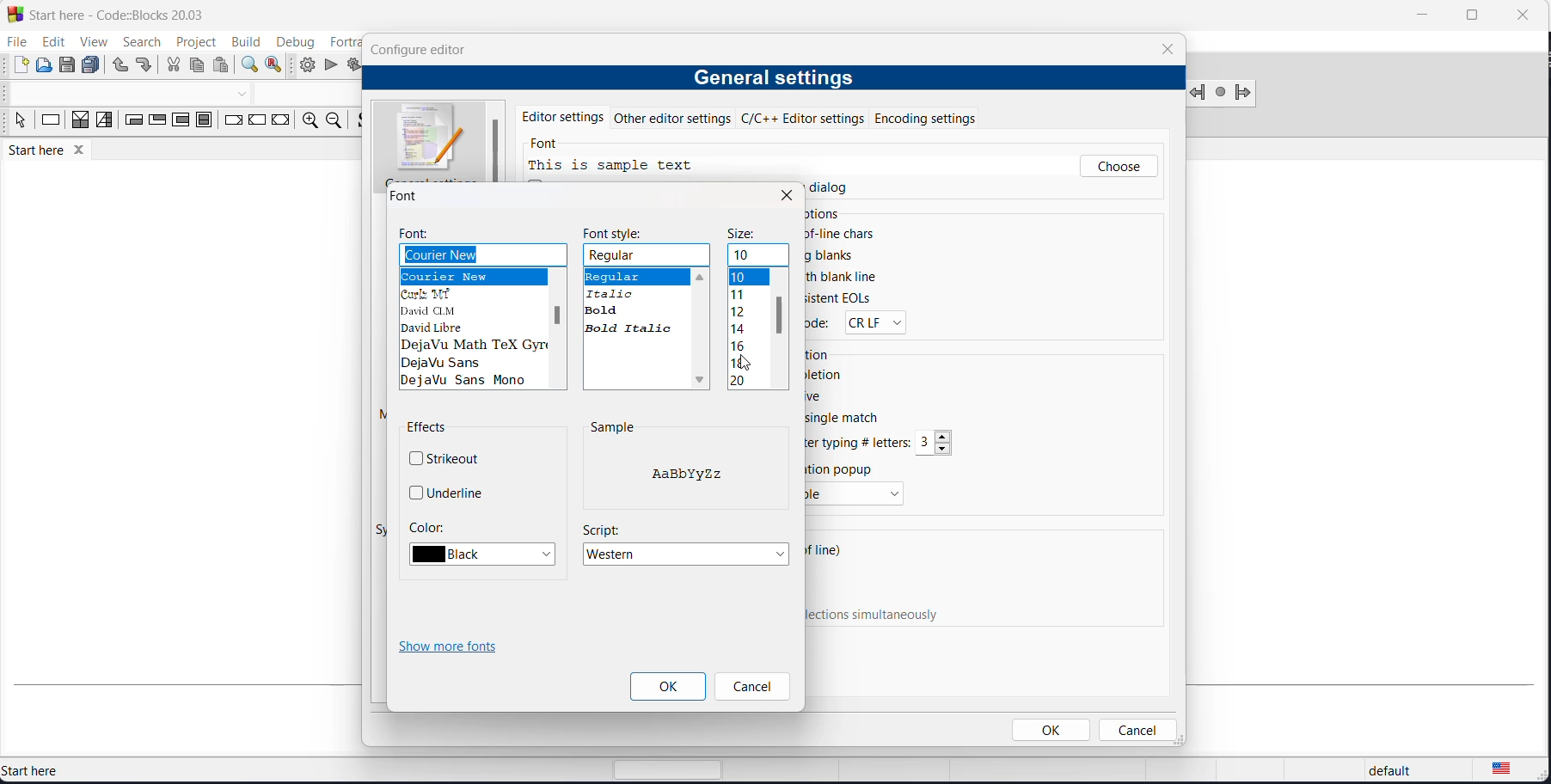  What do you see at coordinates (231, 123) in the screenshot?
I see `break instruction` at bounding box center [231, 123].